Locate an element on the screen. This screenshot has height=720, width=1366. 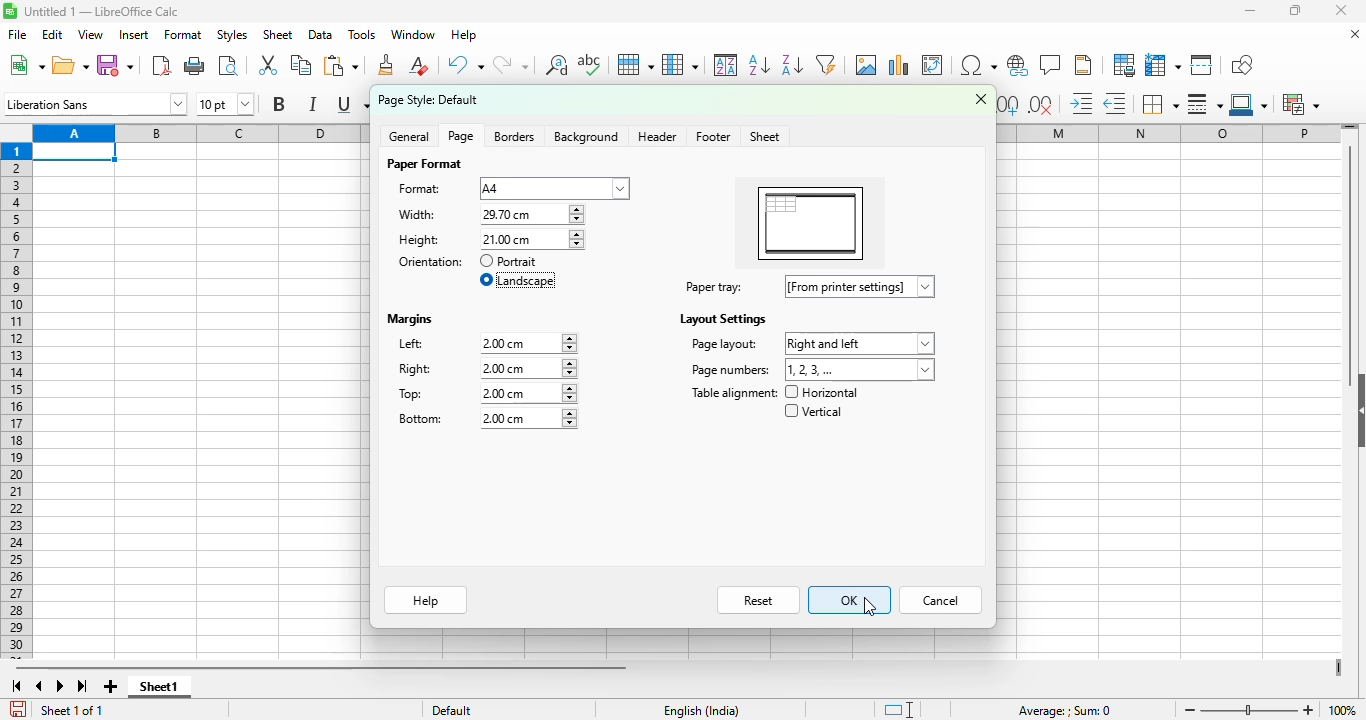
A4 is located at coordinates (554, 189).